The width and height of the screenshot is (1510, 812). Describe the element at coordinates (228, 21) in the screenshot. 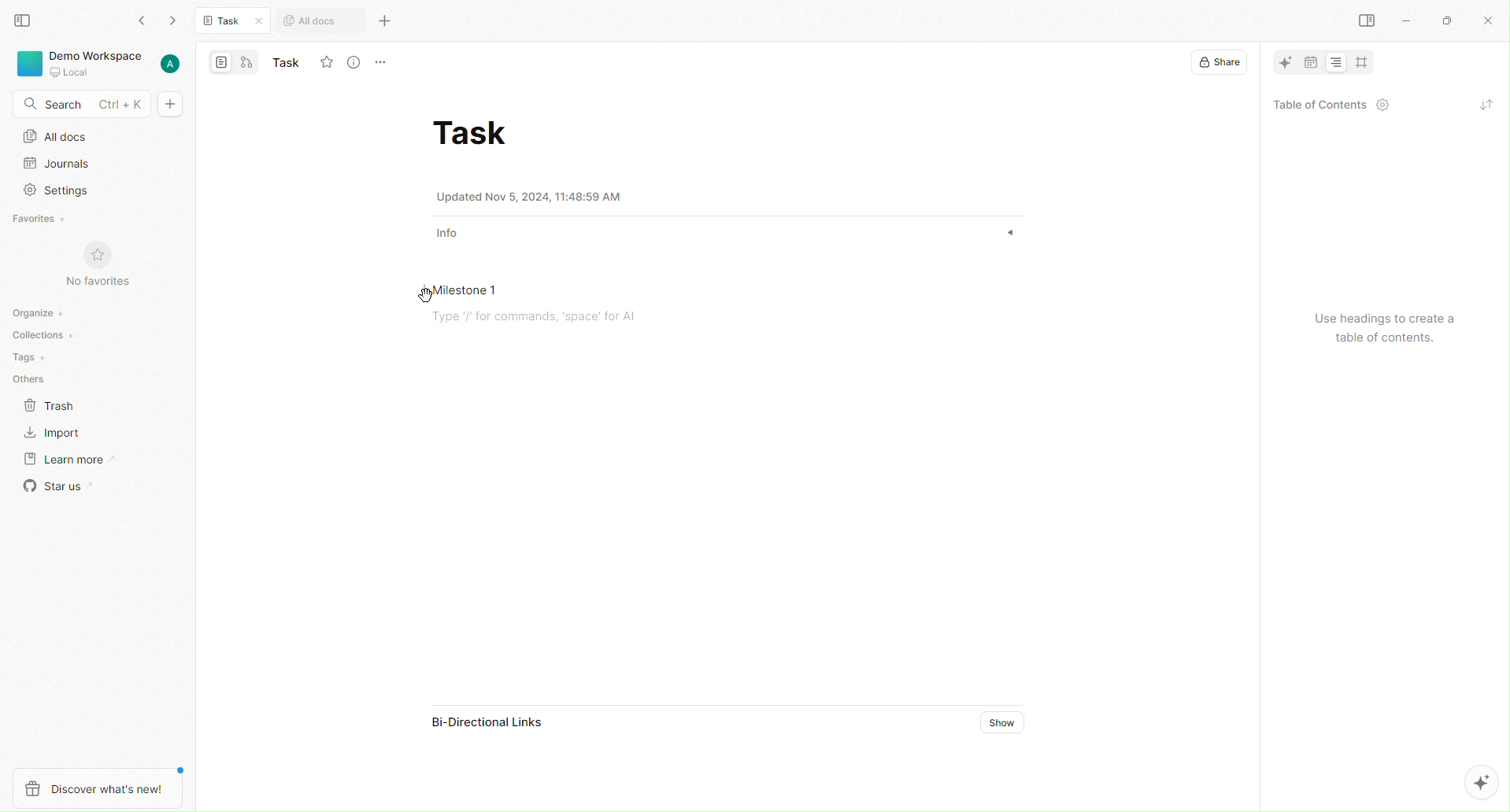

I see `Task` at that location.